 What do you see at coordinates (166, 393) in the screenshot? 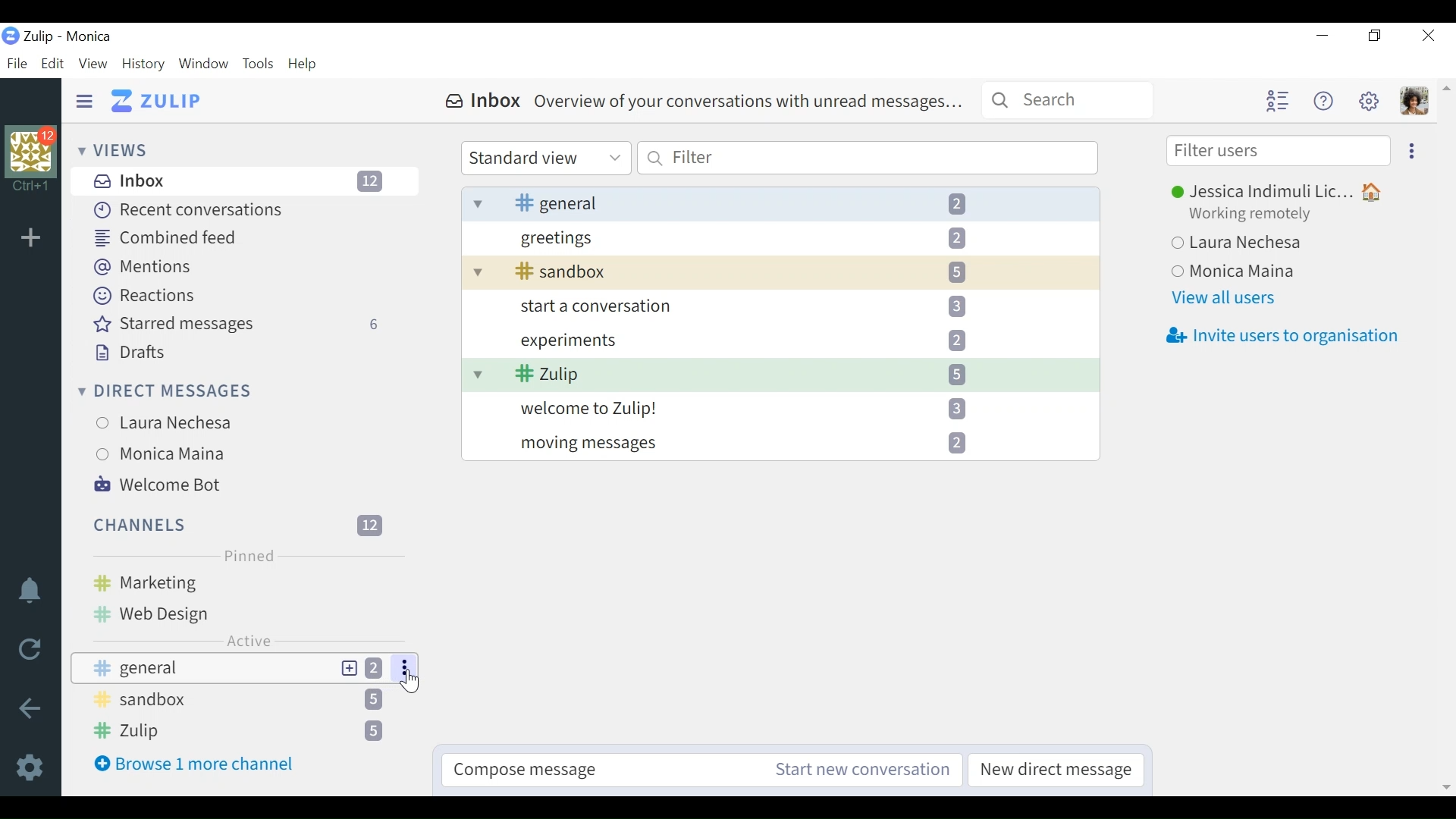
I see `Direct Messages` at bounding box center [166, 393].